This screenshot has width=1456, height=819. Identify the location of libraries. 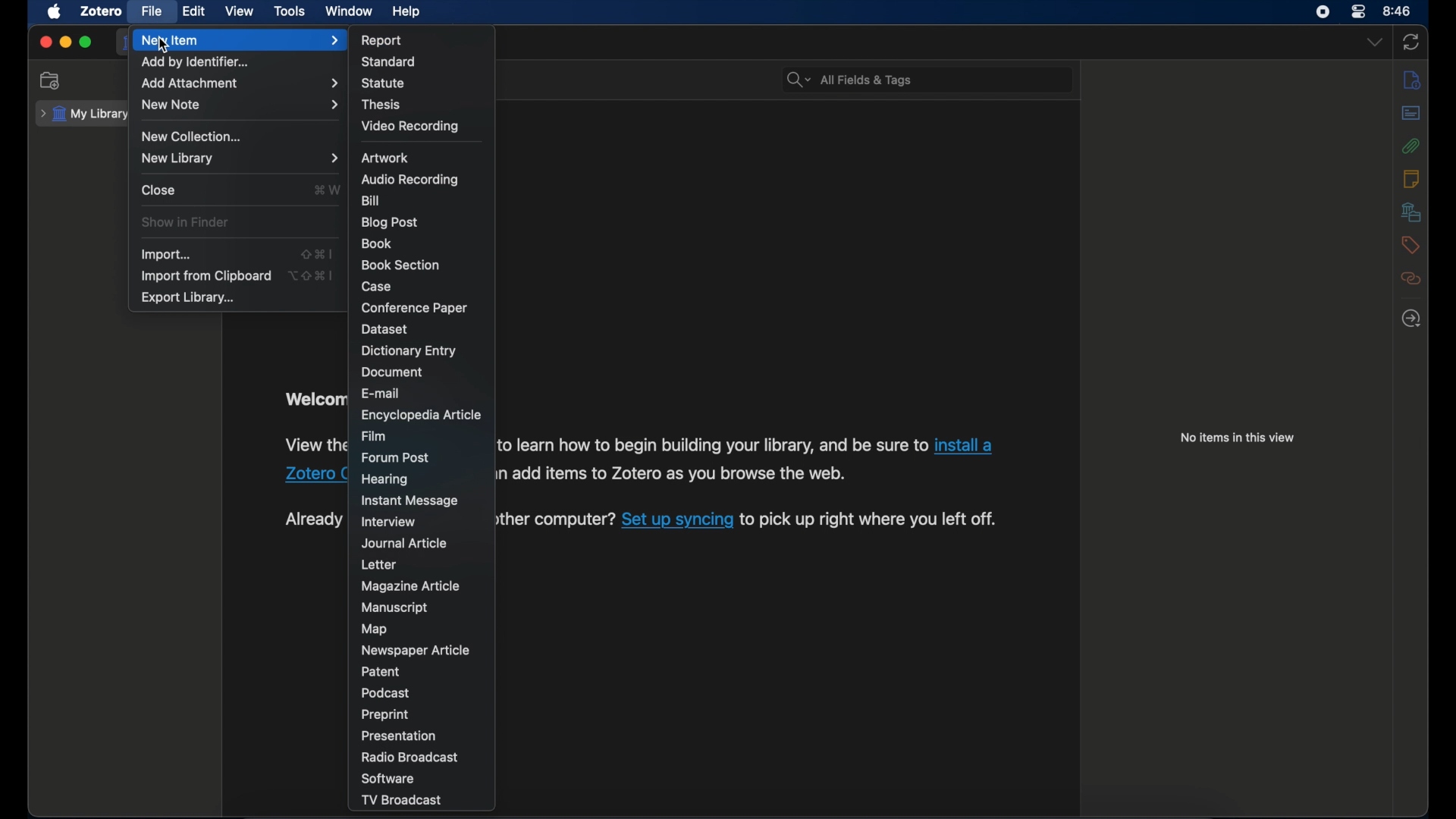
(1410, 212).